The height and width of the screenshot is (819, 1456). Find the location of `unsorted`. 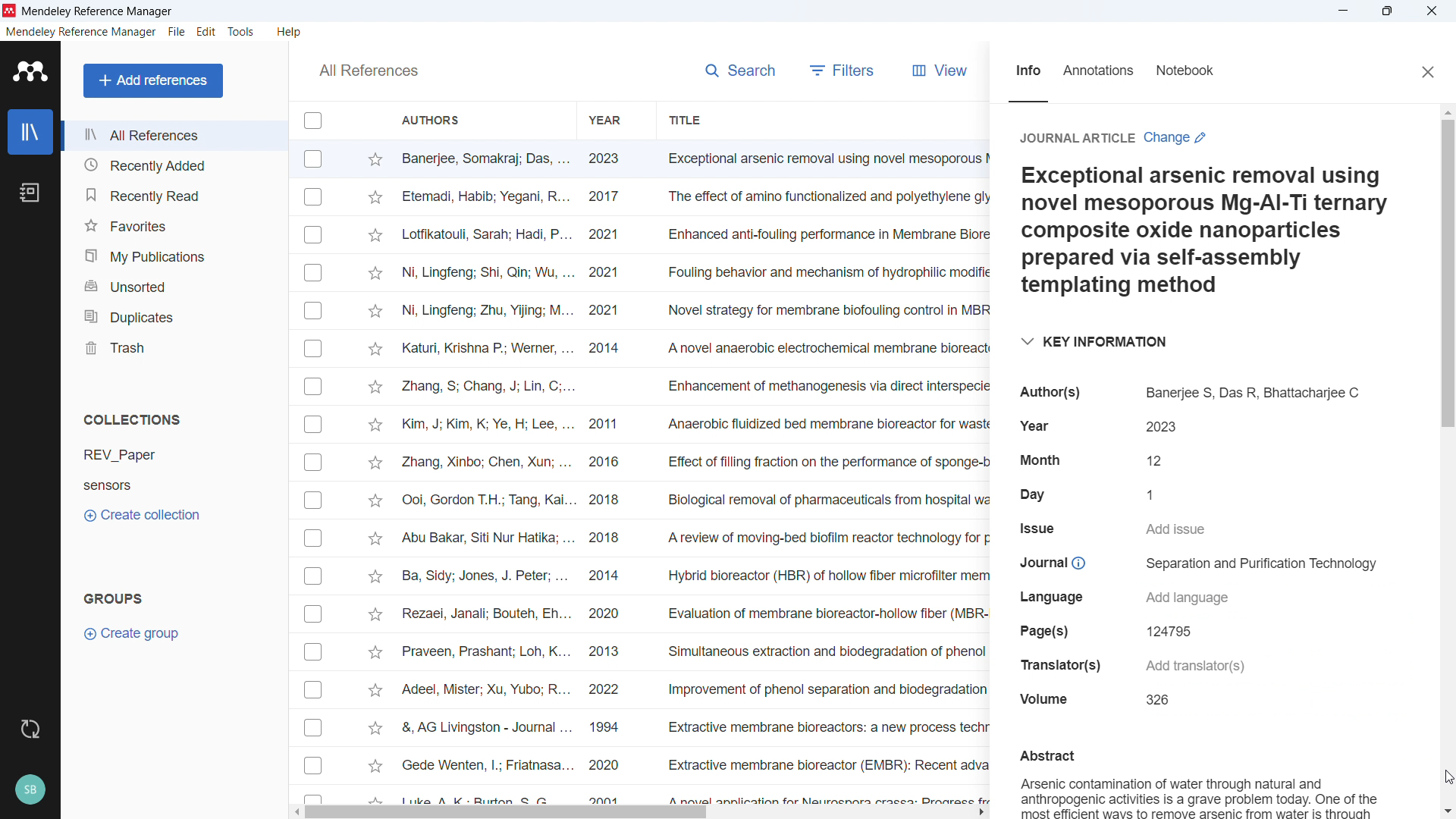

unsorted is located at coordinates (174, 284).